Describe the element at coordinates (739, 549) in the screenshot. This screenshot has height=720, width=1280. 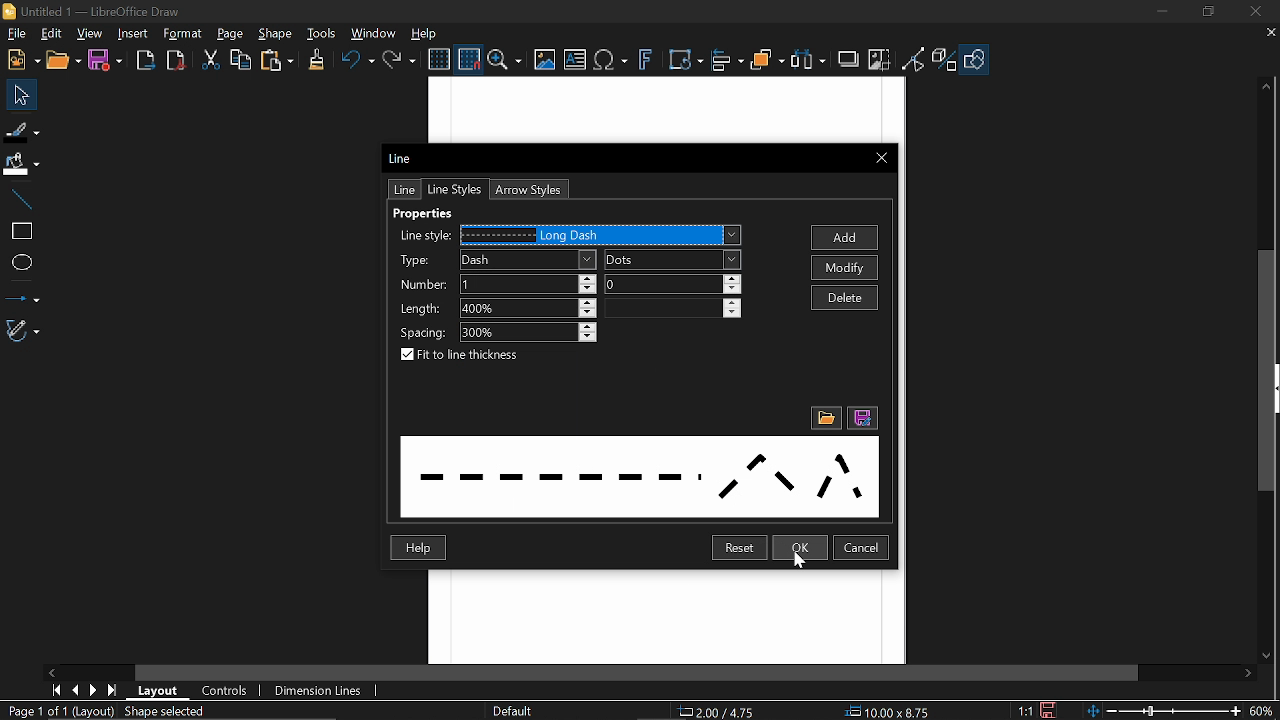
I see `Reset` at that location.